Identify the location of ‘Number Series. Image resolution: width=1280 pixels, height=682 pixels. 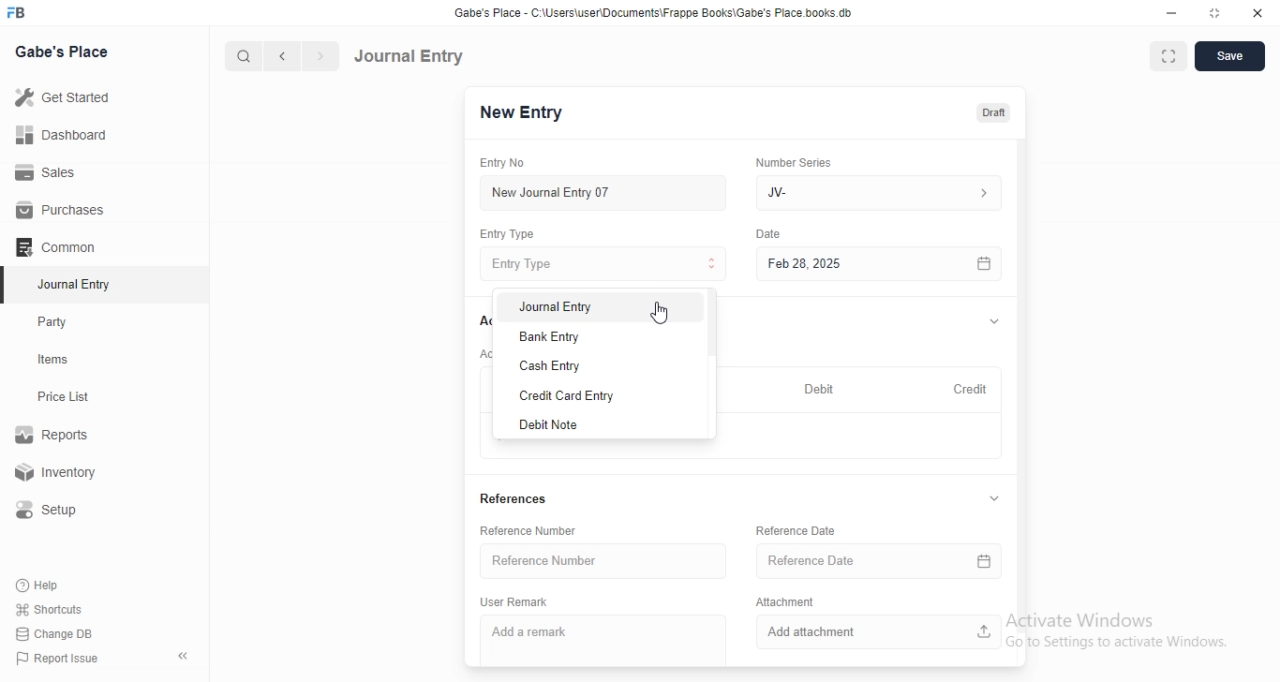
(792, 162).